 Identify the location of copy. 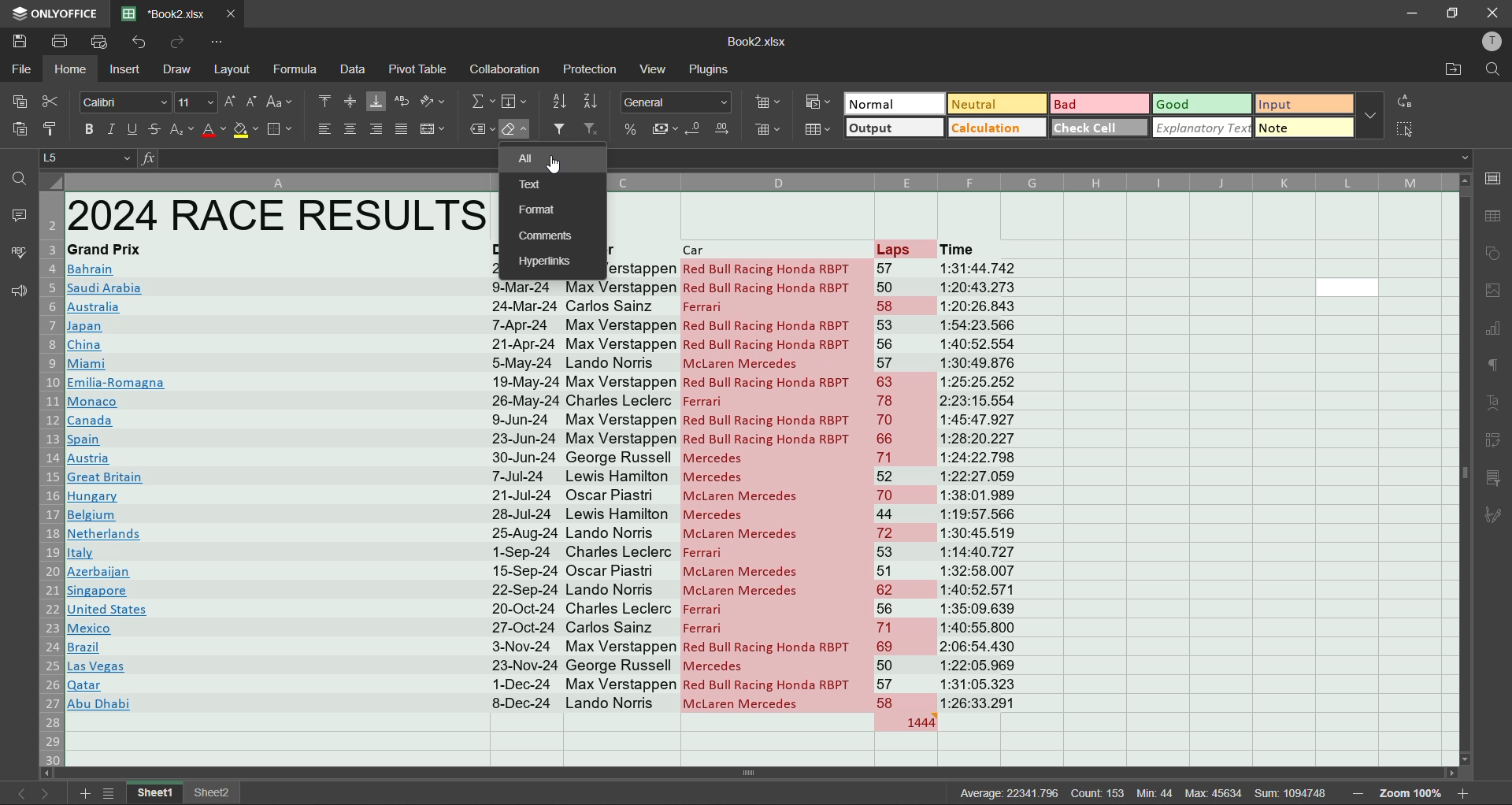
(20, 101).